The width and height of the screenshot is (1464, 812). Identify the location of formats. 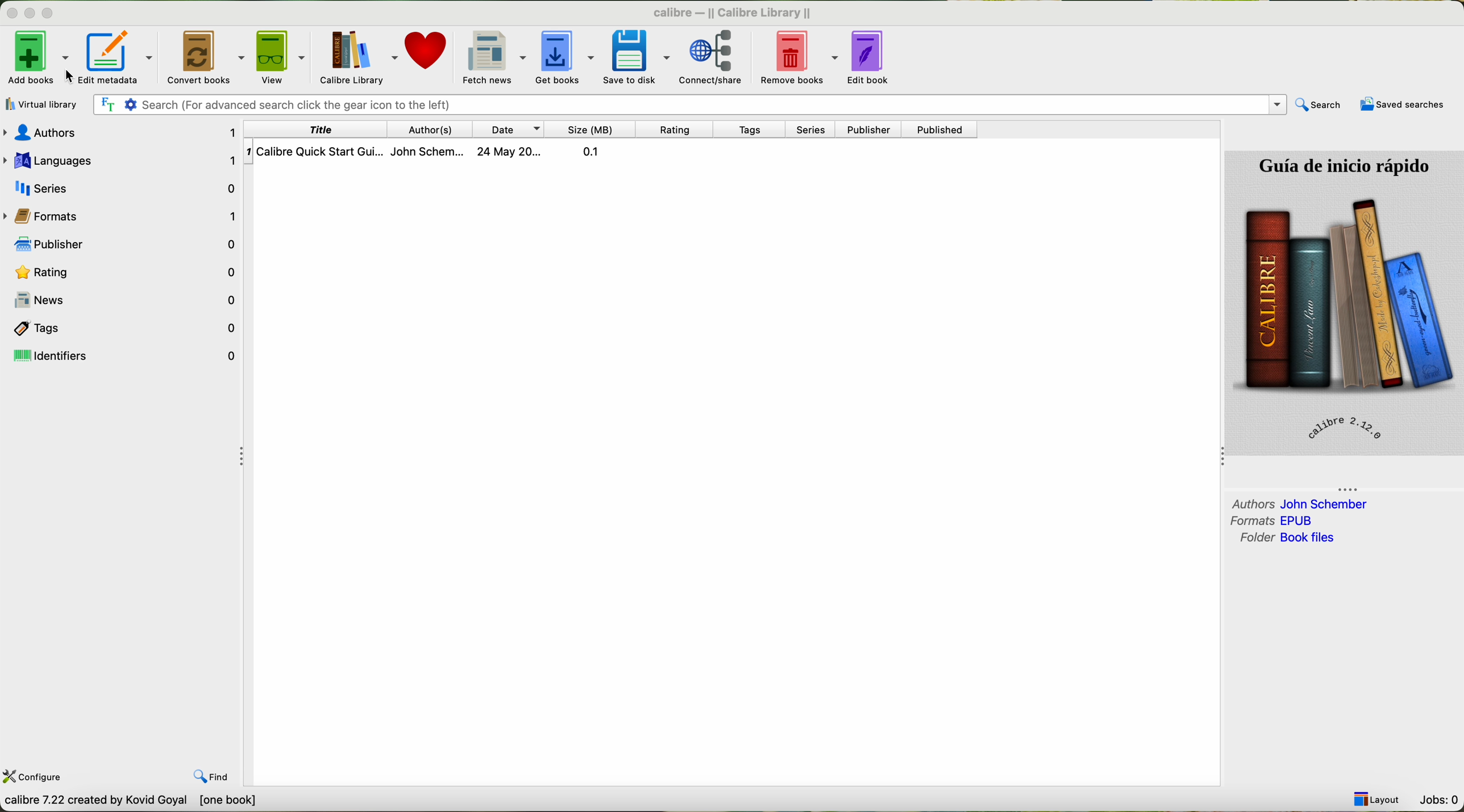
(119, 215).